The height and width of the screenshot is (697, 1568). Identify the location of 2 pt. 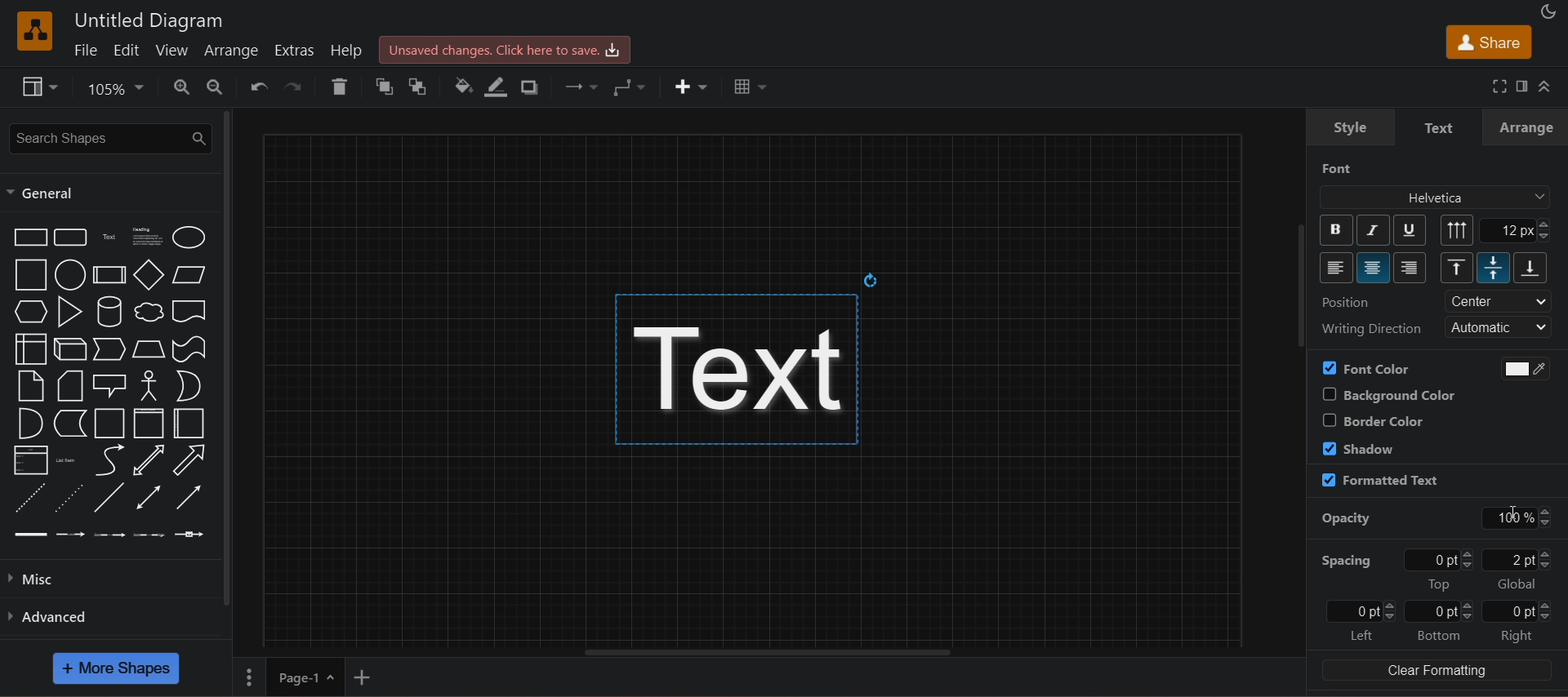
(1518, 559).